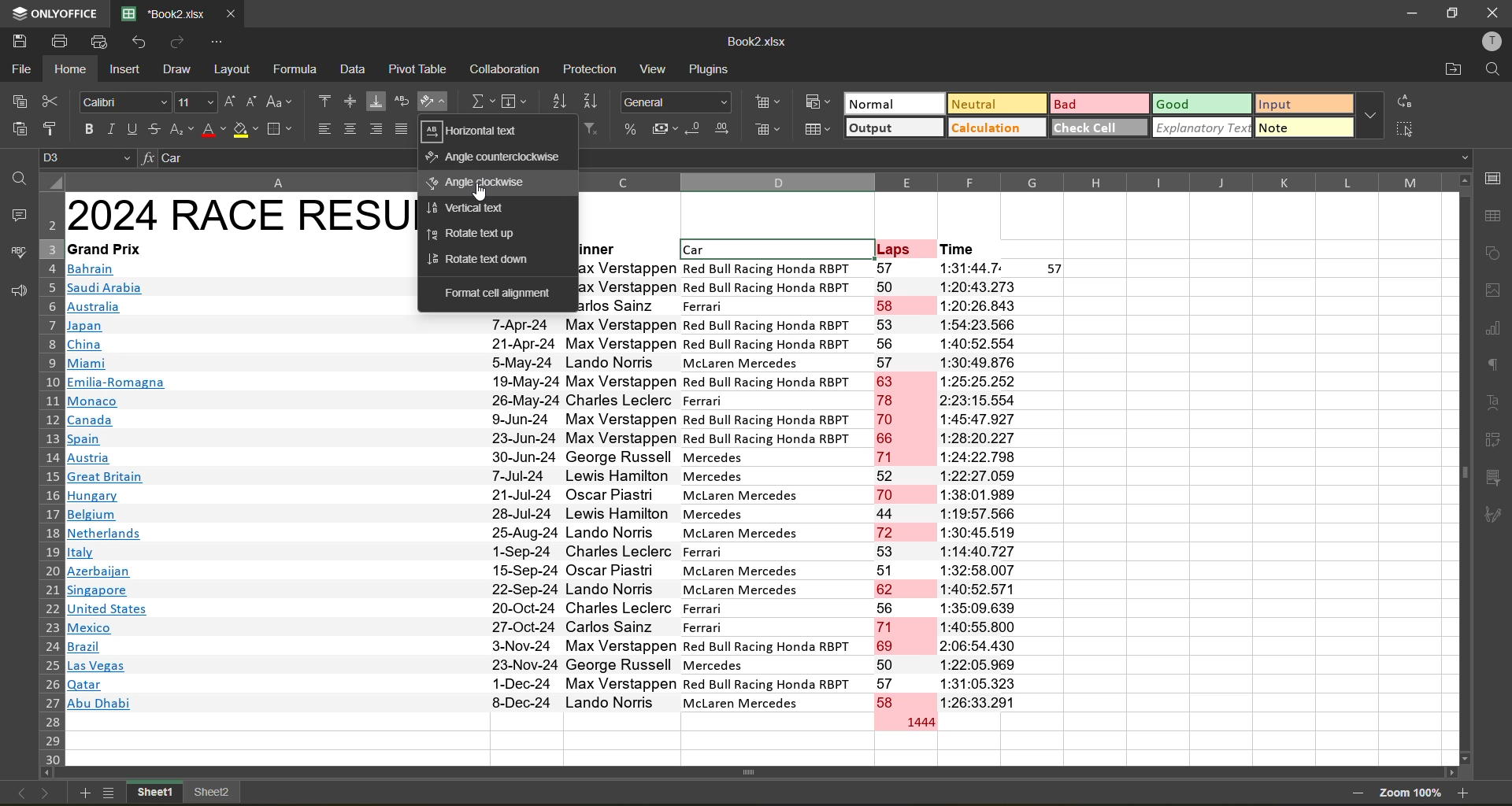  I want to click on Scroll up, so click(1462, 179).